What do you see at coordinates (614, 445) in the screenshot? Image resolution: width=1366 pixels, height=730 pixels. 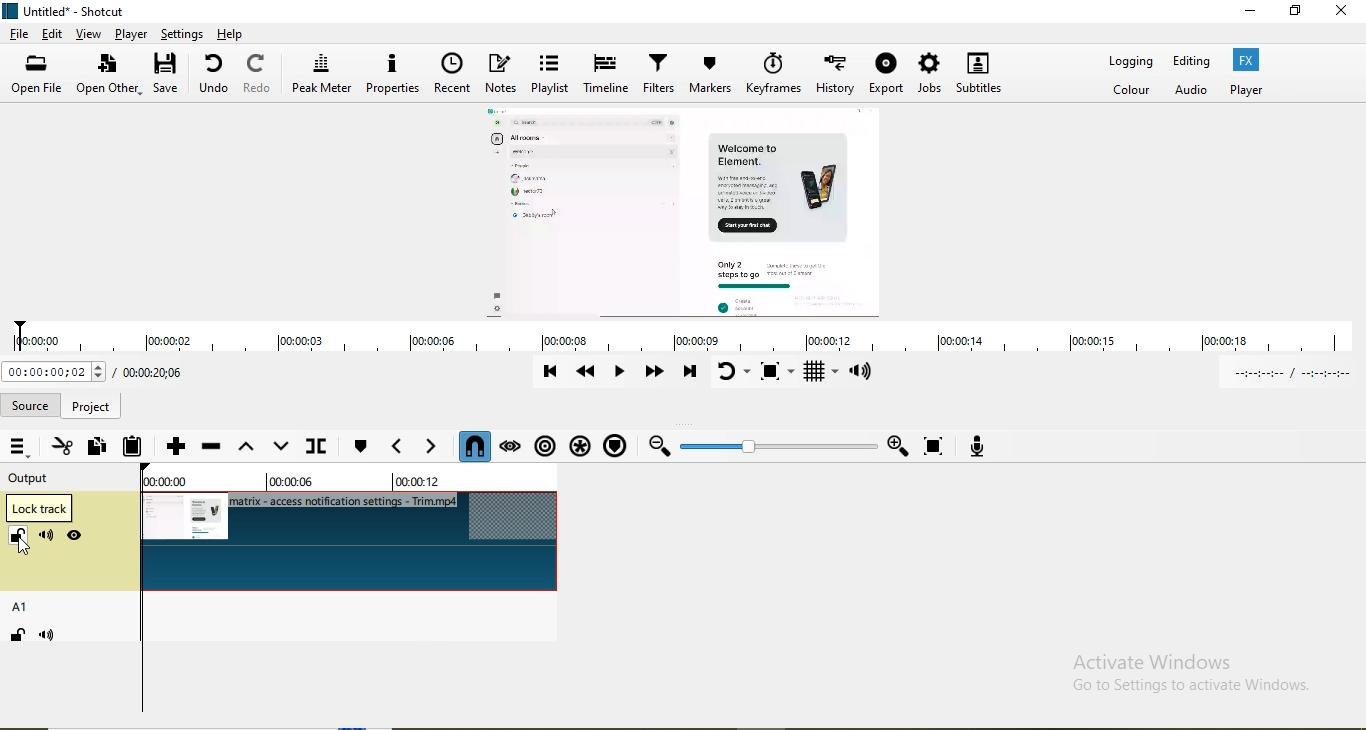 I see `Ripple markers` at bounding box center [614, 445].